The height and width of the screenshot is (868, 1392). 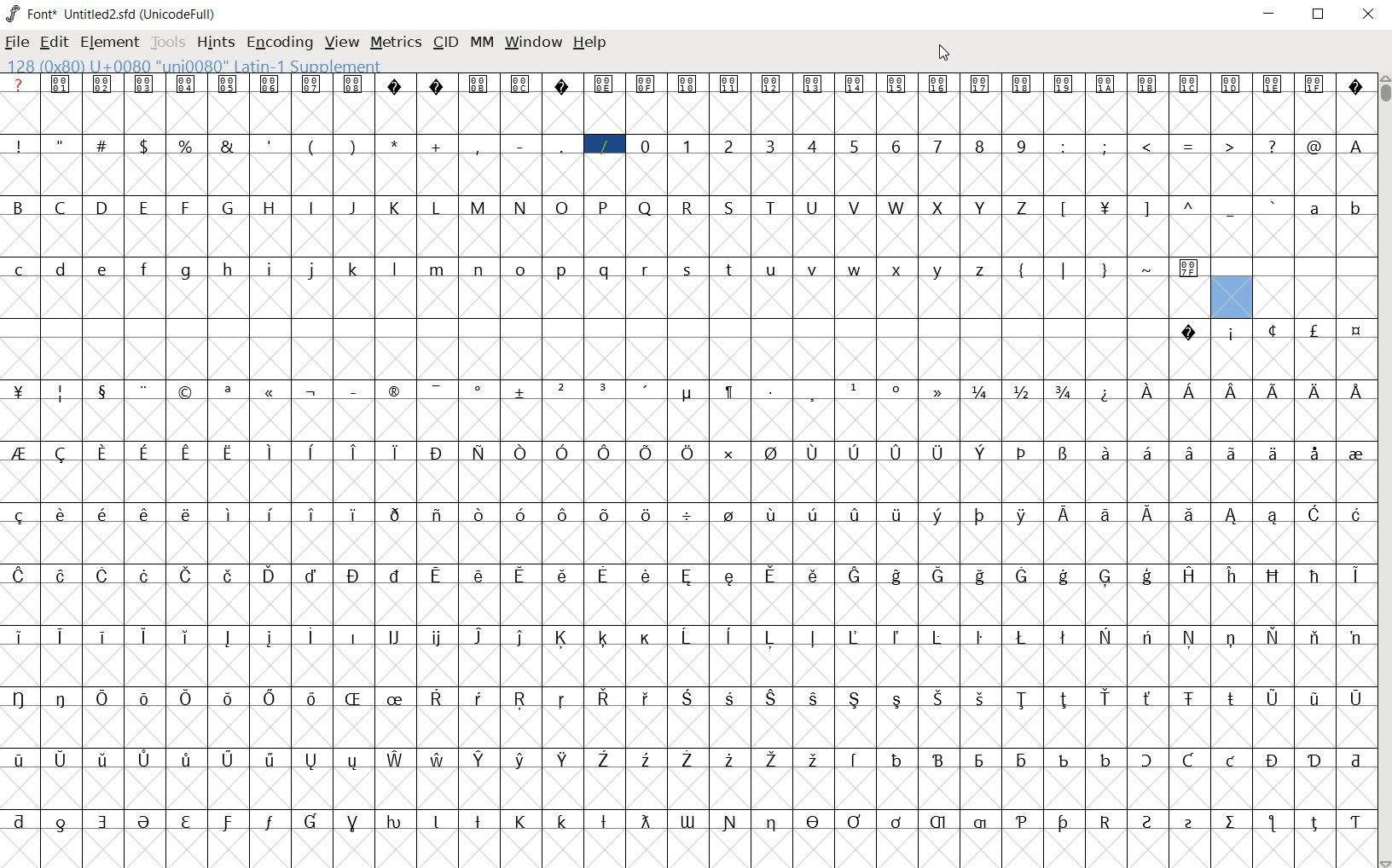 What do you see at coordinates (1272, 146) in the screenshot?
I see `glyph` at bounding box center [1272, 146].